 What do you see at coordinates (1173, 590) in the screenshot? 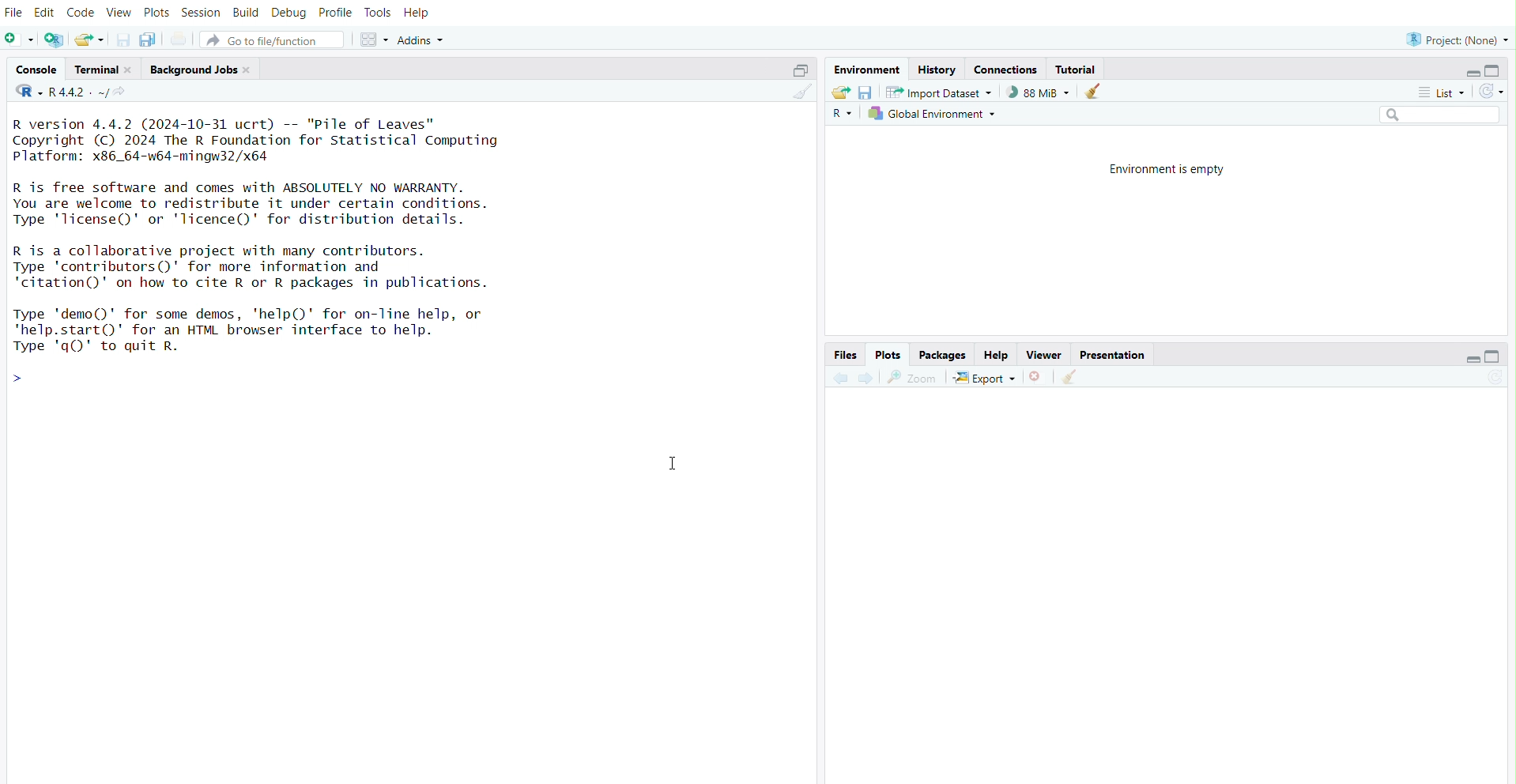
I see `empty plot area` at bounding box center [1173, 590].